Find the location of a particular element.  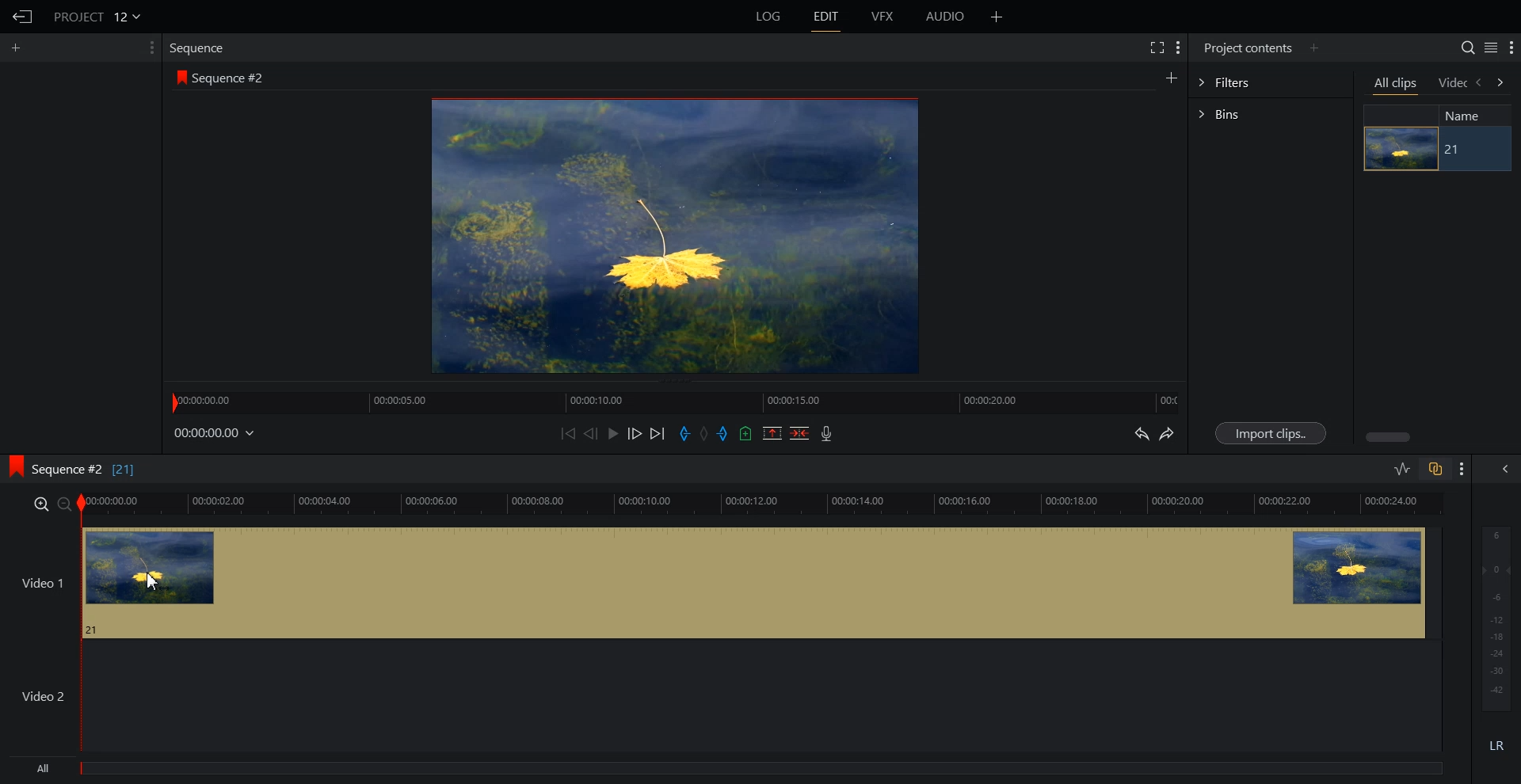

Nudge One Frame Forward is located at coordinates (635, 434).